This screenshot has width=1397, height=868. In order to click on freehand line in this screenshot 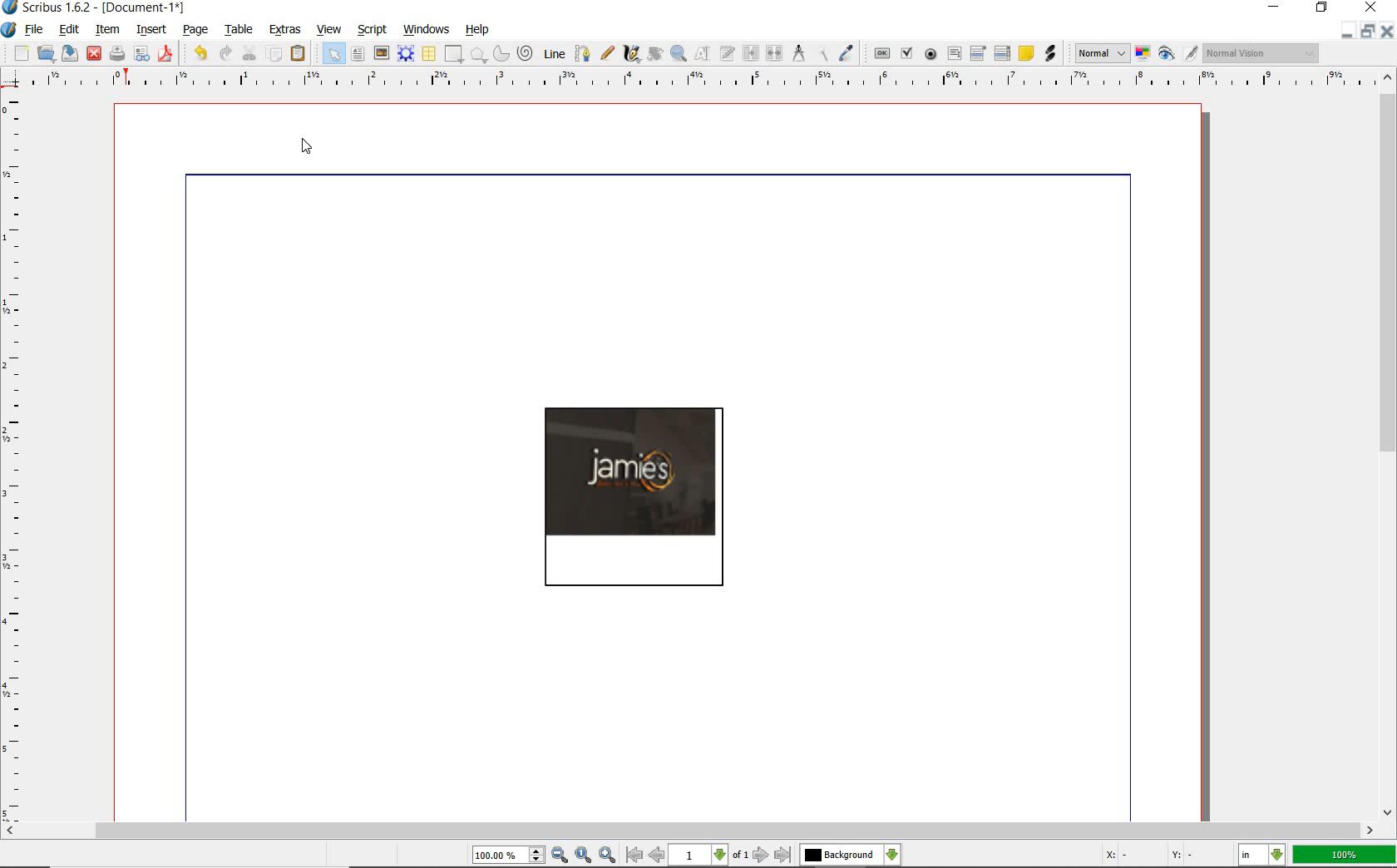, I will do `click(606, 52)`.